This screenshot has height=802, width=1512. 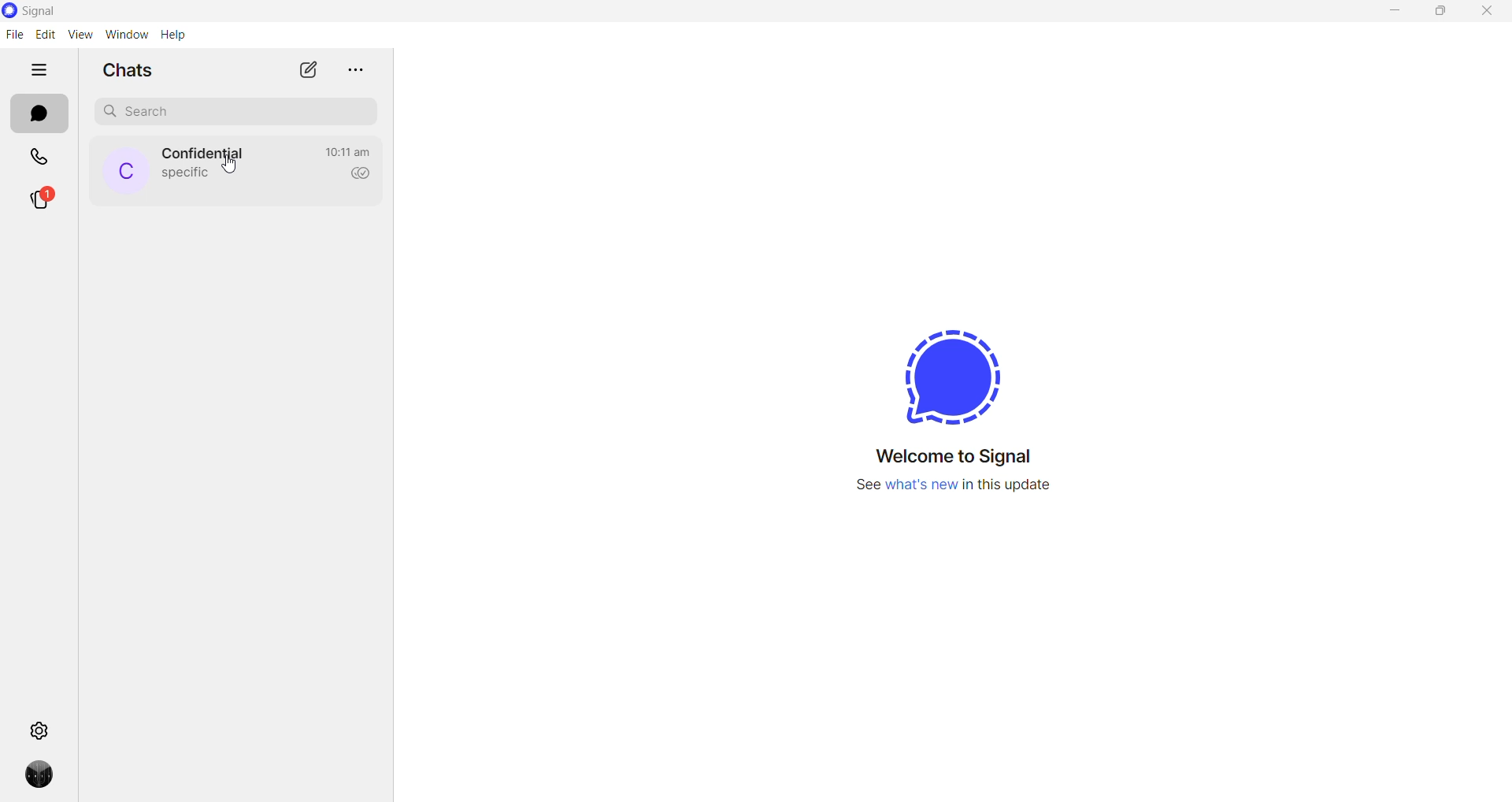 I want to click on last active time, so click(x=346, y=152).